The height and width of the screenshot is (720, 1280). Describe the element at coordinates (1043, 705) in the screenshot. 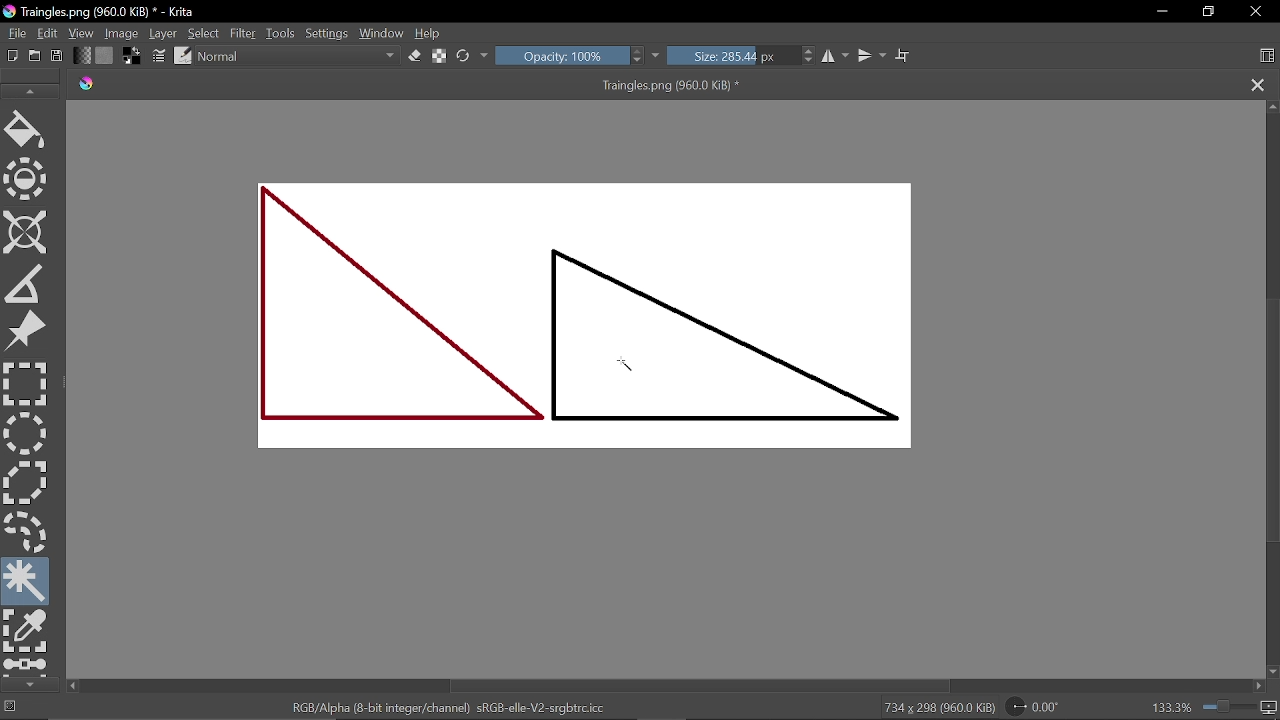

I see `Rotate` at that location.